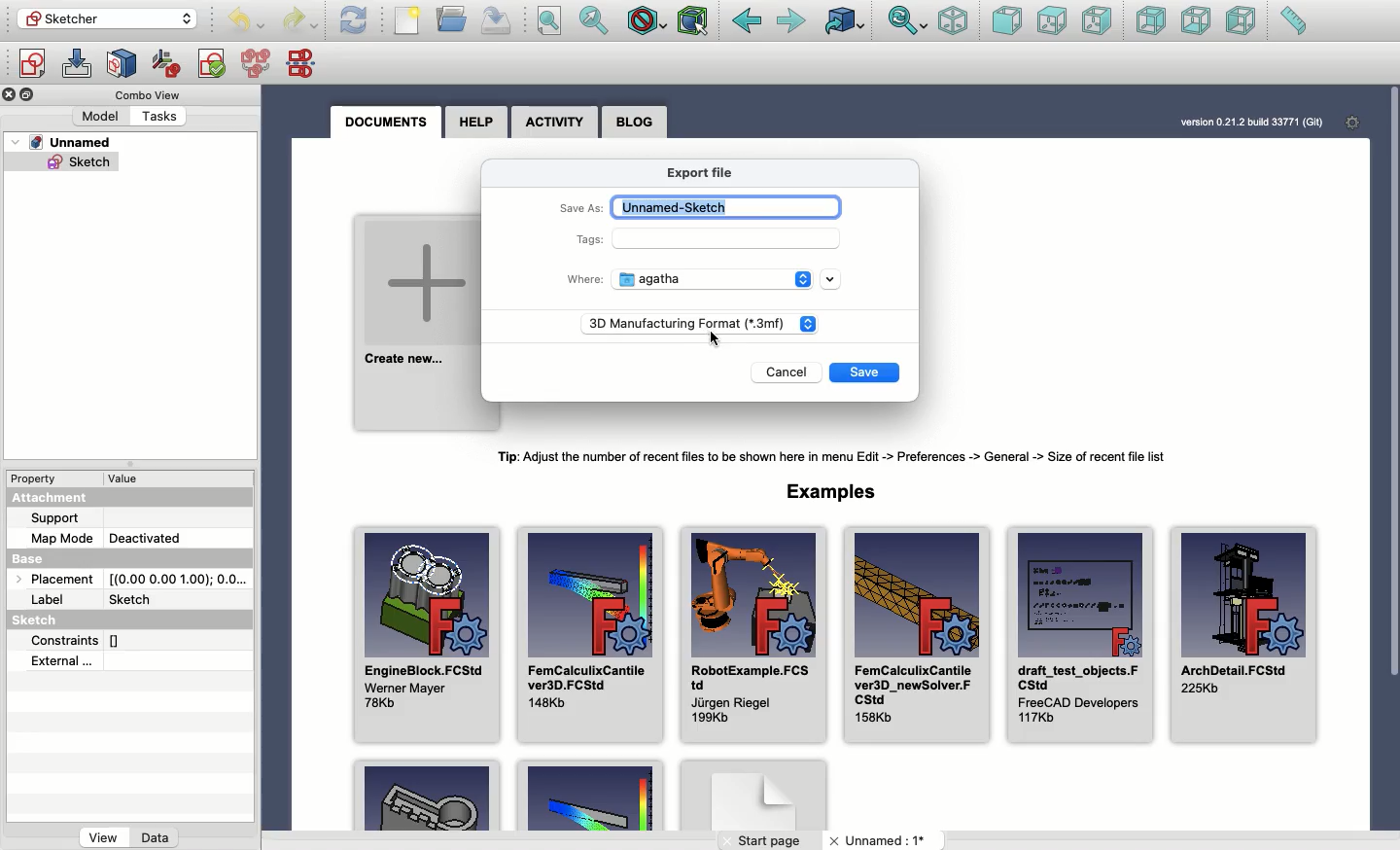  I want to click on Label Sketch, so click(101, 600).